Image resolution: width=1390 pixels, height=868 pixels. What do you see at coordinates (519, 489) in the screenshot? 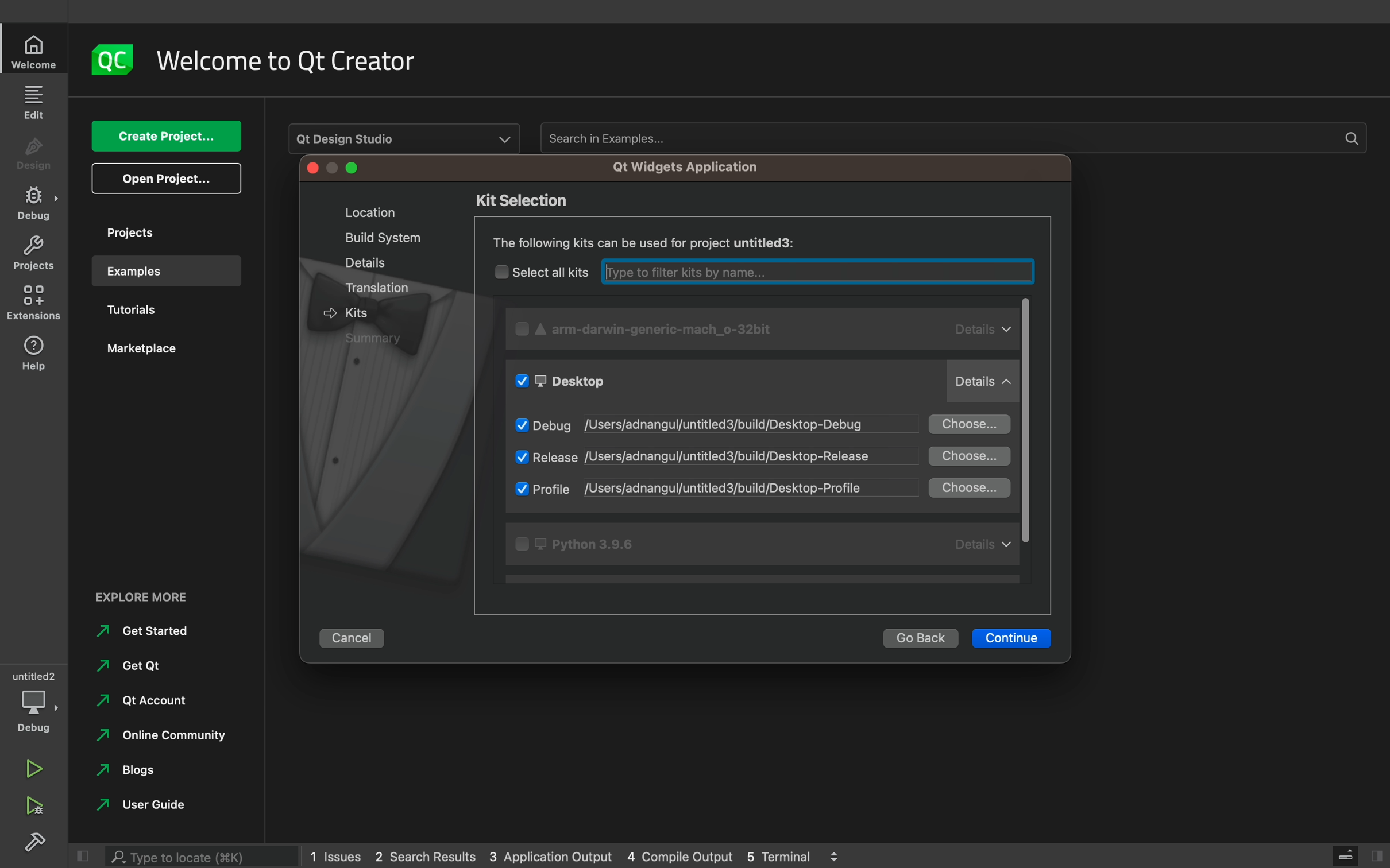
I see `check button` at bounding box center [519, 489].